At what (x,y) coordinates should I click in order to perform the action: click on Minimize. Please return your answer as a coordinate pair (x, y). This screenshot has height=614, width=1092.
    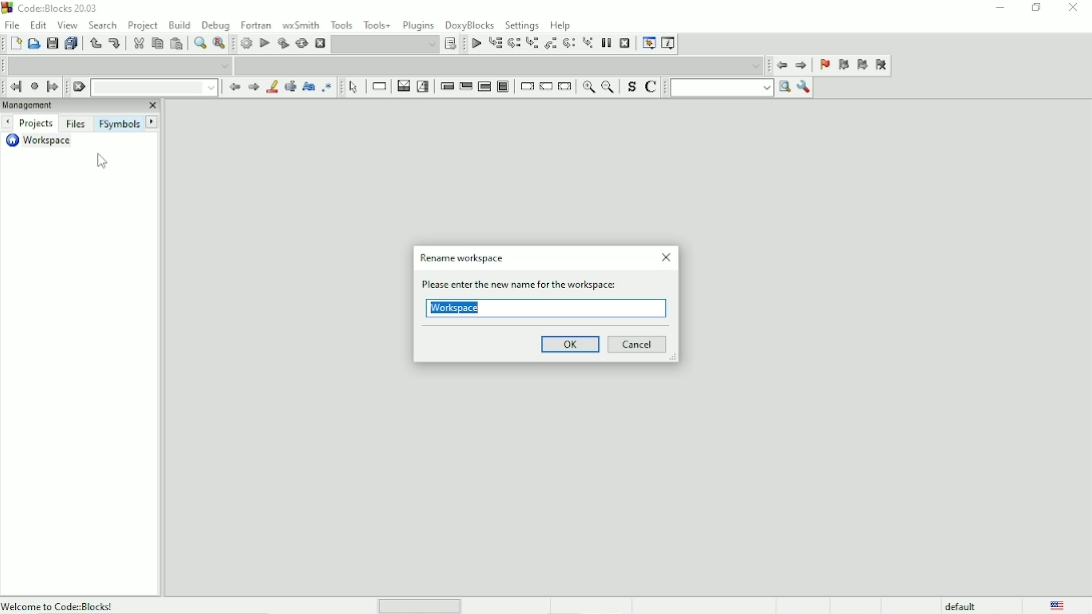
    Looking at the image, I should click on (999, 8).